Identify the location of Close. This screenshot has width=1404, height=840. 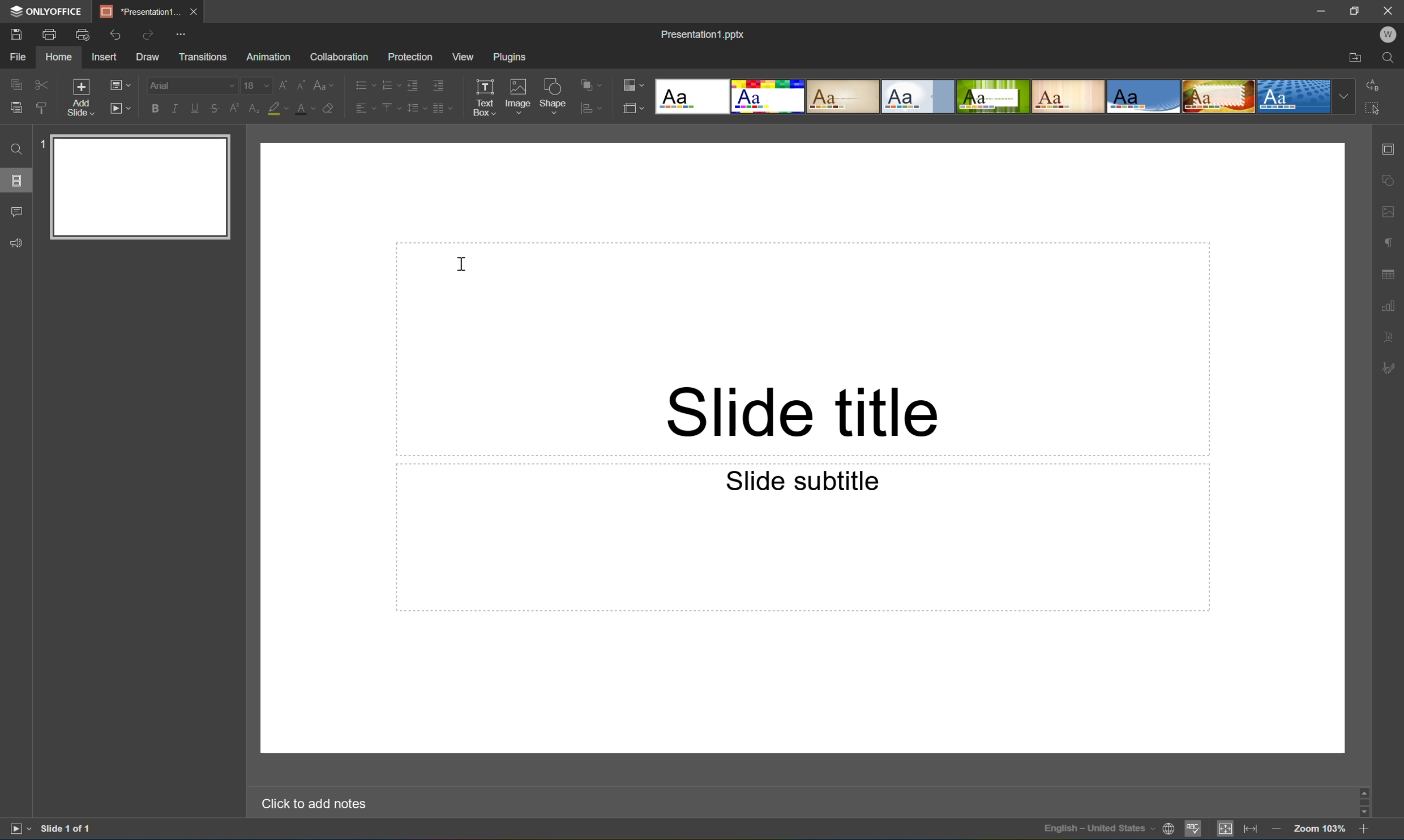
(197, 12).